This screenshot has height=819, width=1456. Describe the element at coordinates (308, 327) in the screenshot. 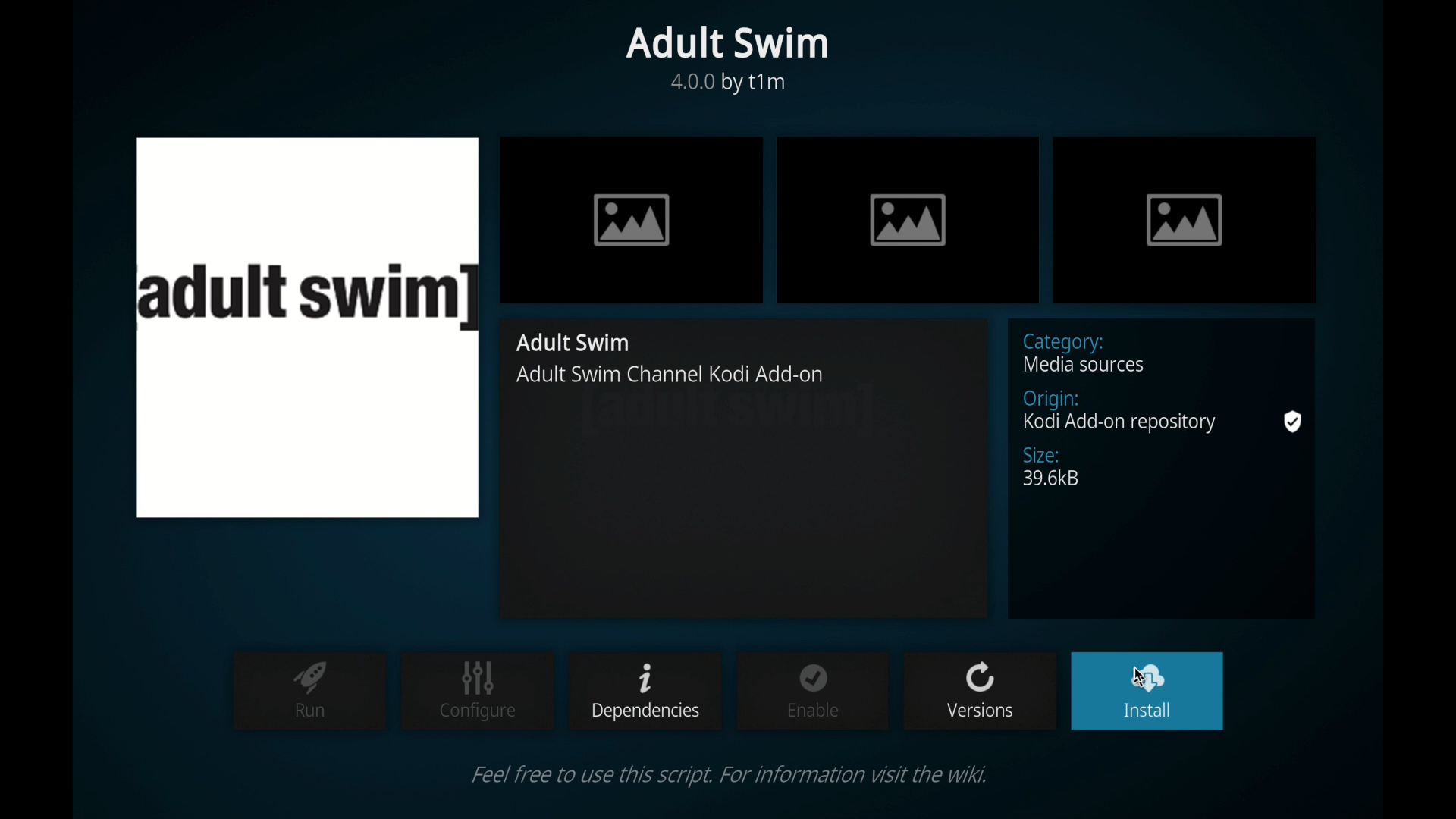

I see `adult swim icon` at that location.